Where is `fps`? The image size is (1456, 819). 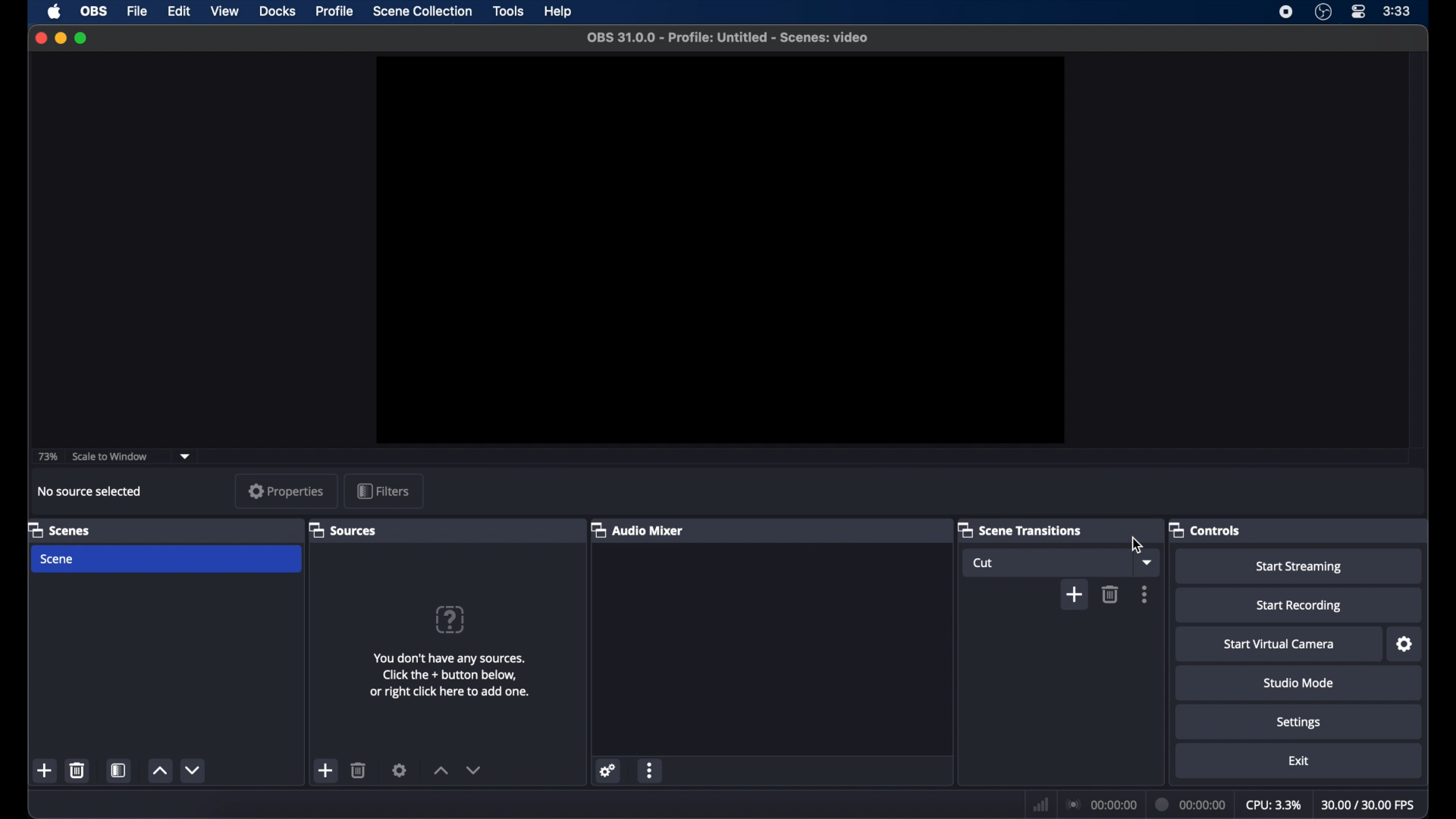
fps is located at coordinates (1370, 805).